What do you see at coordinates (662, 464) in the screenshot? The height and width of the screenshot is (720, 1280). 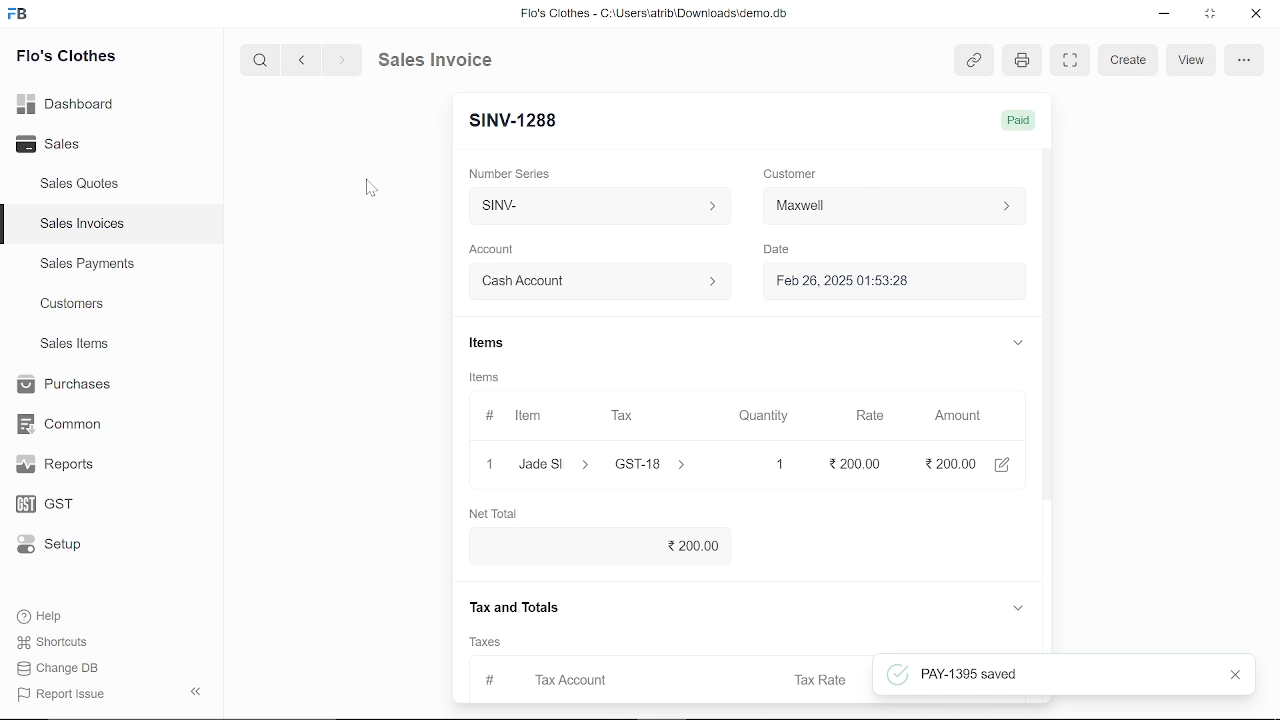 I see `GST-18` at bounding box center [662, 464].